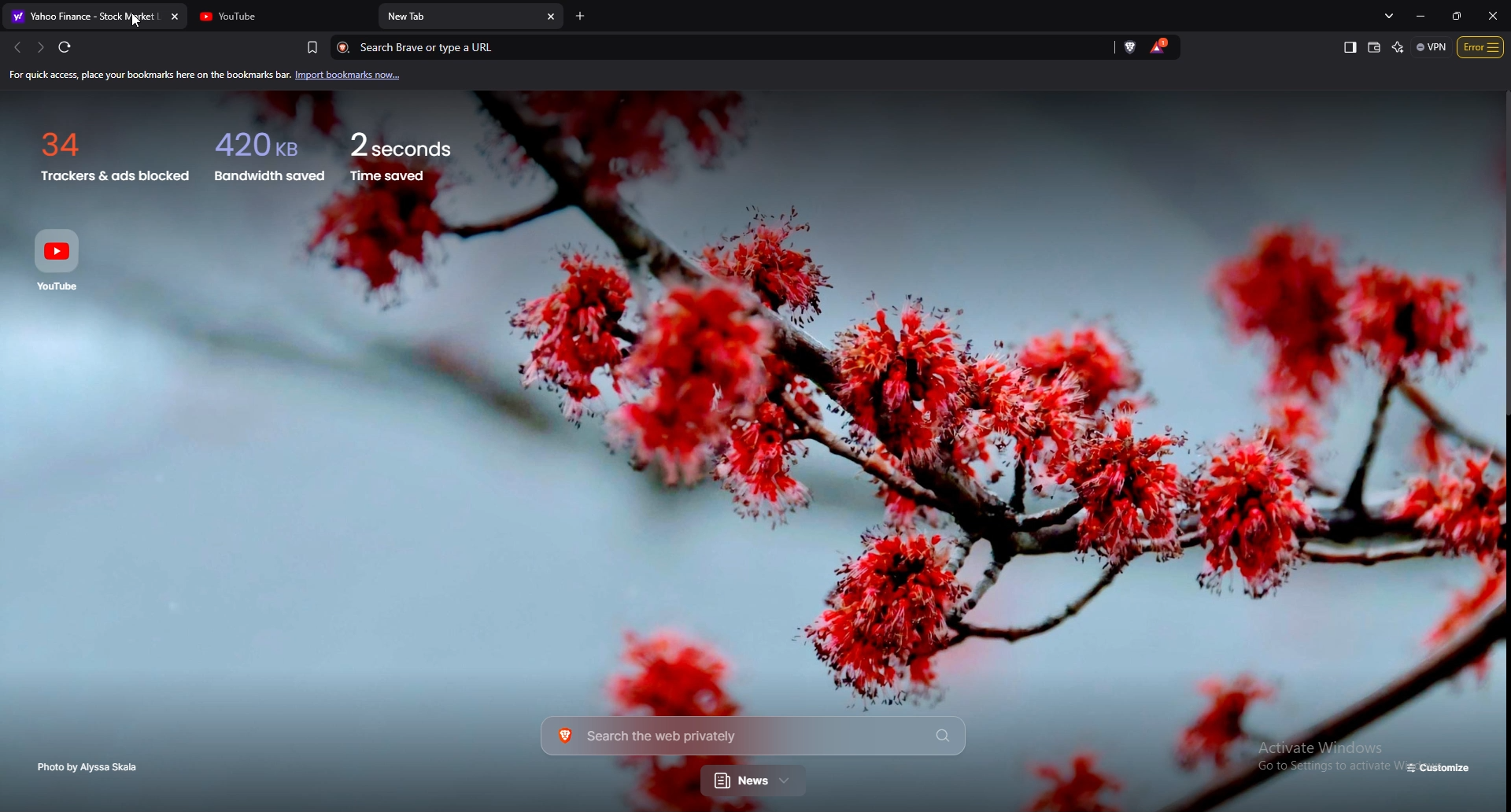 This screenshot has width=1511, height=812. I want to click on minimize, so click(1424, 16).